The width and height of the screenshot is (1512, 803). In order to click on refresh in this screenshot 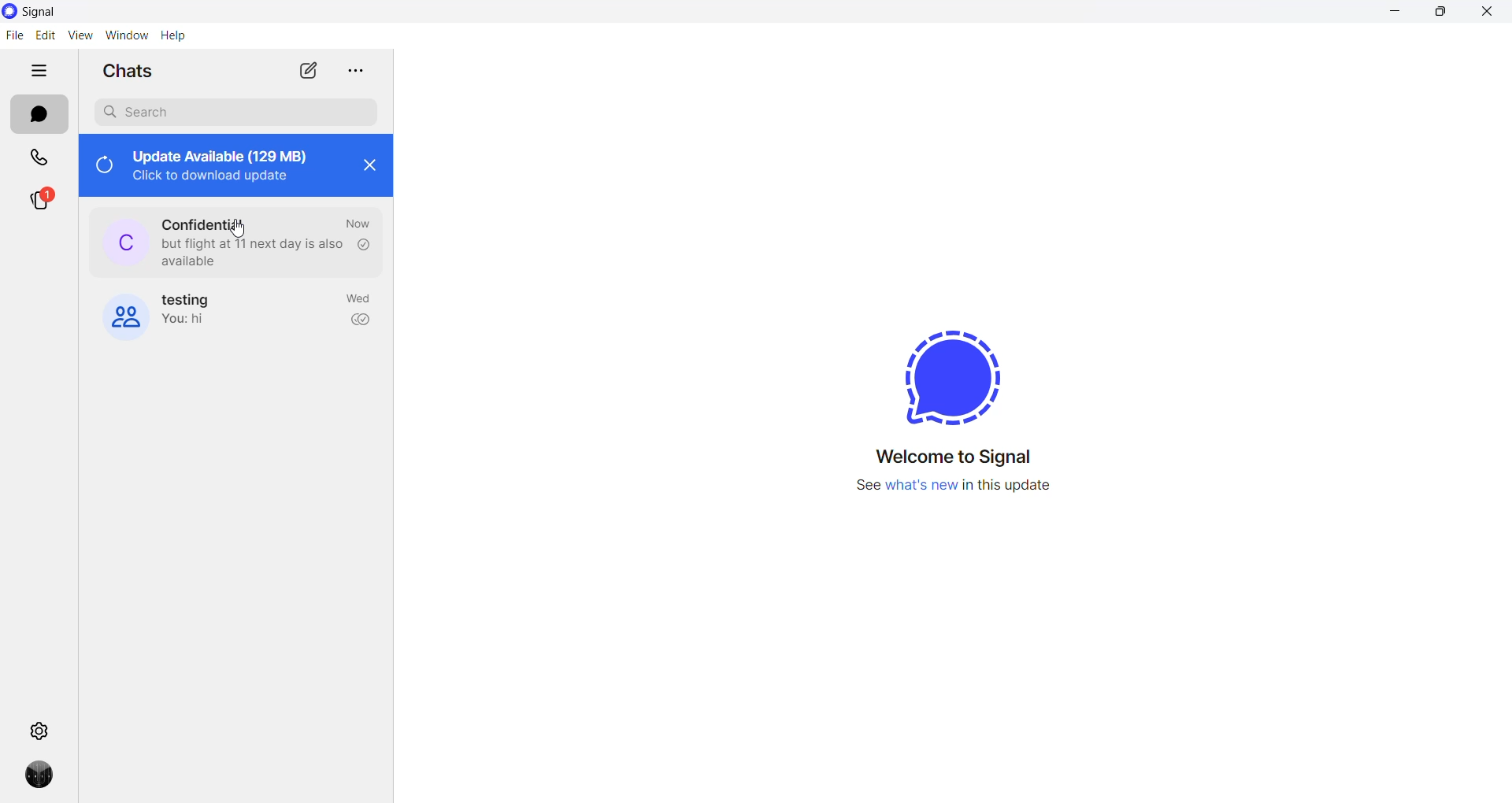, I will do `click(102, 167)`.